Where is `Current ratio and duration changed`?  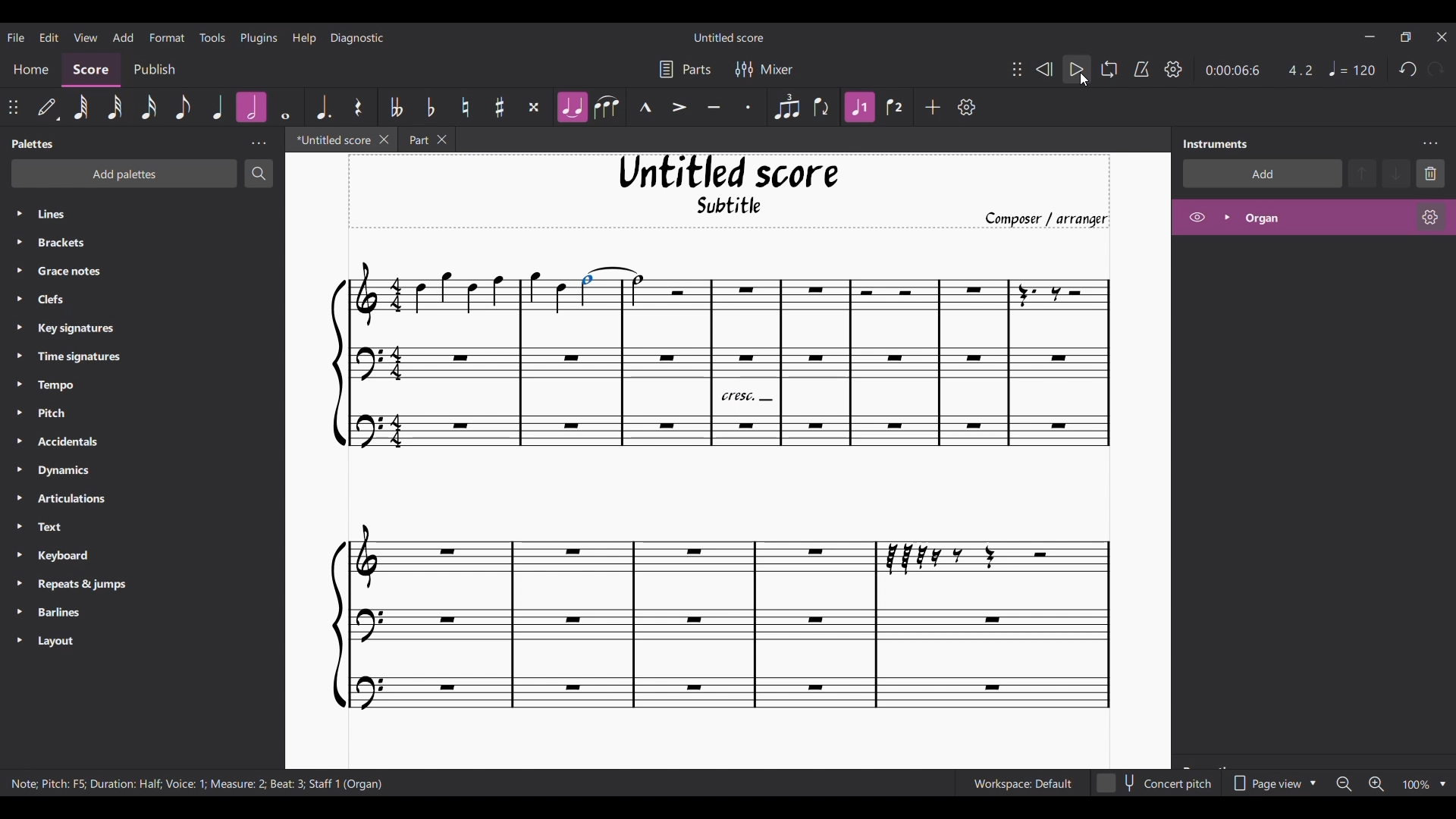 Current ratio and duration changed is located at coordinates (1259, 70).